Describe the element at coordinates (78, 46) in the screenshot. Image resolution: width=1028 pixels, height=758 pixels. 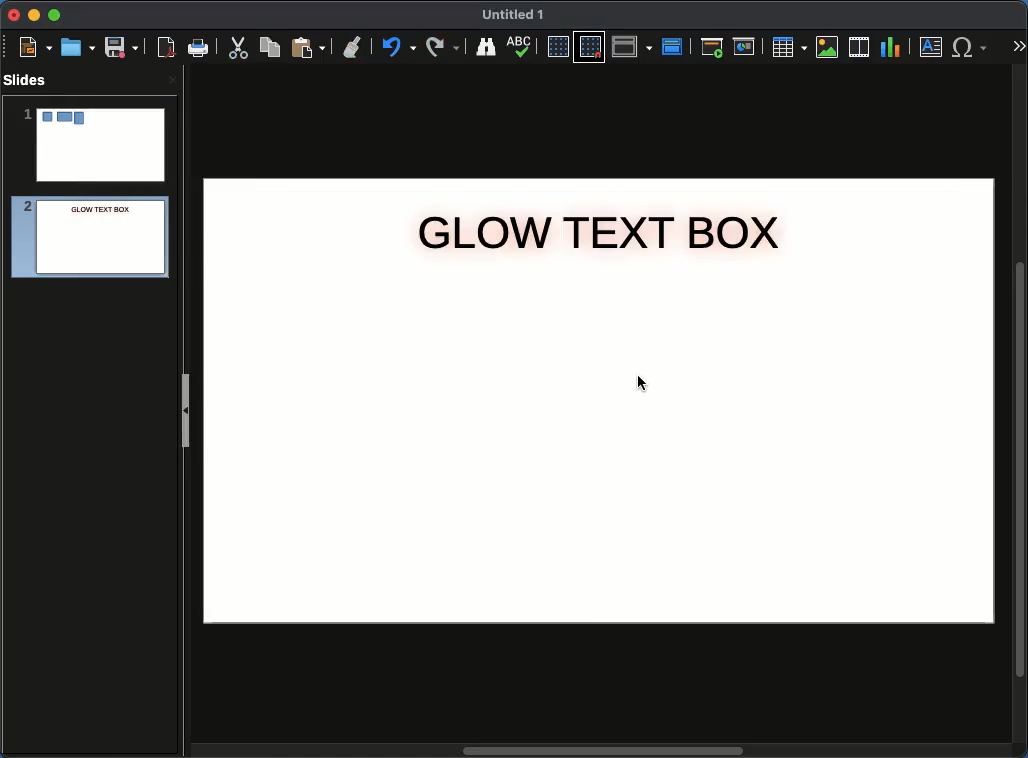
I see `Ope` at that location.